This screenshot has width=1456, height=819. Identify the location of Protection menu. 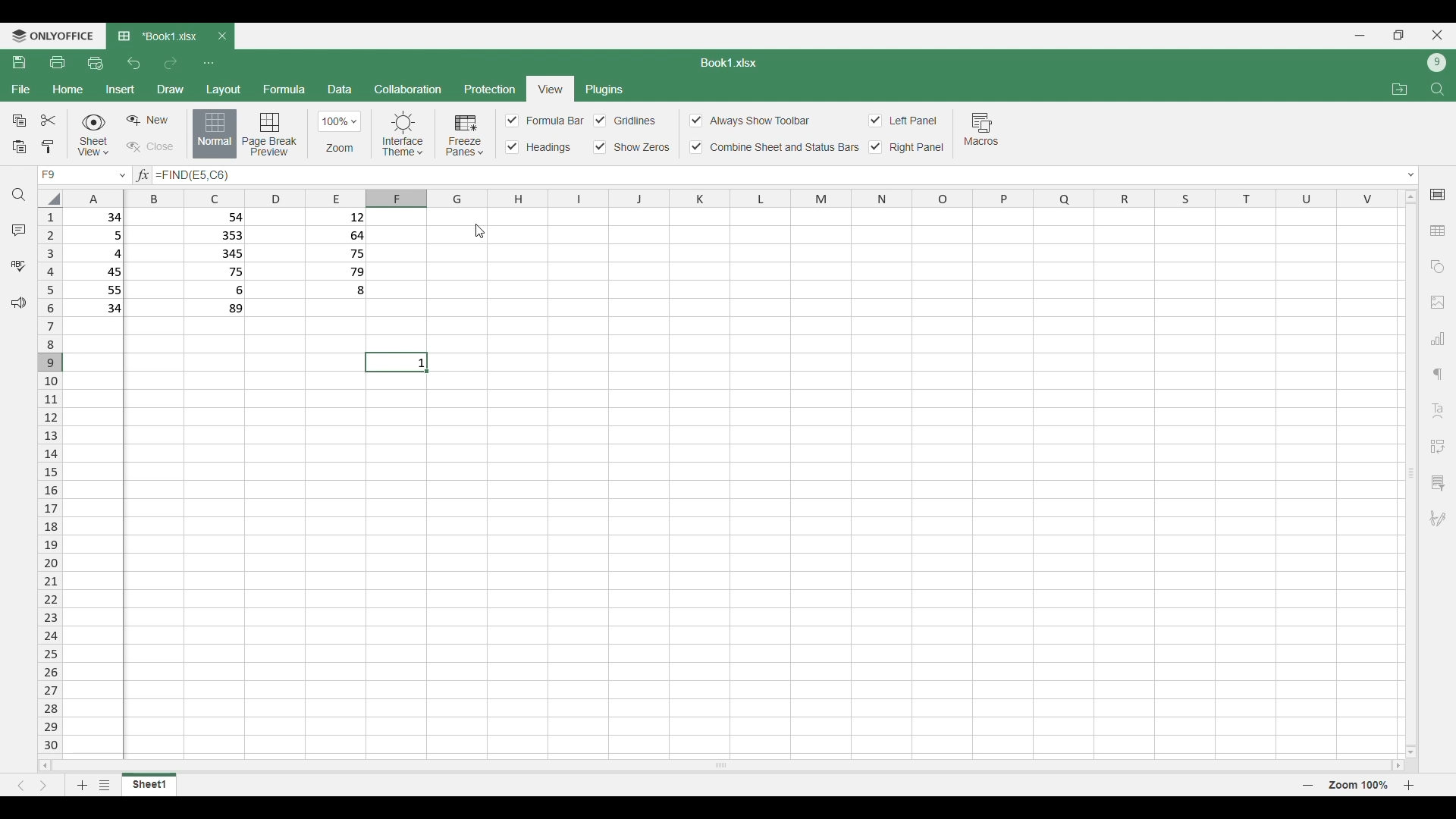
(489, 89).